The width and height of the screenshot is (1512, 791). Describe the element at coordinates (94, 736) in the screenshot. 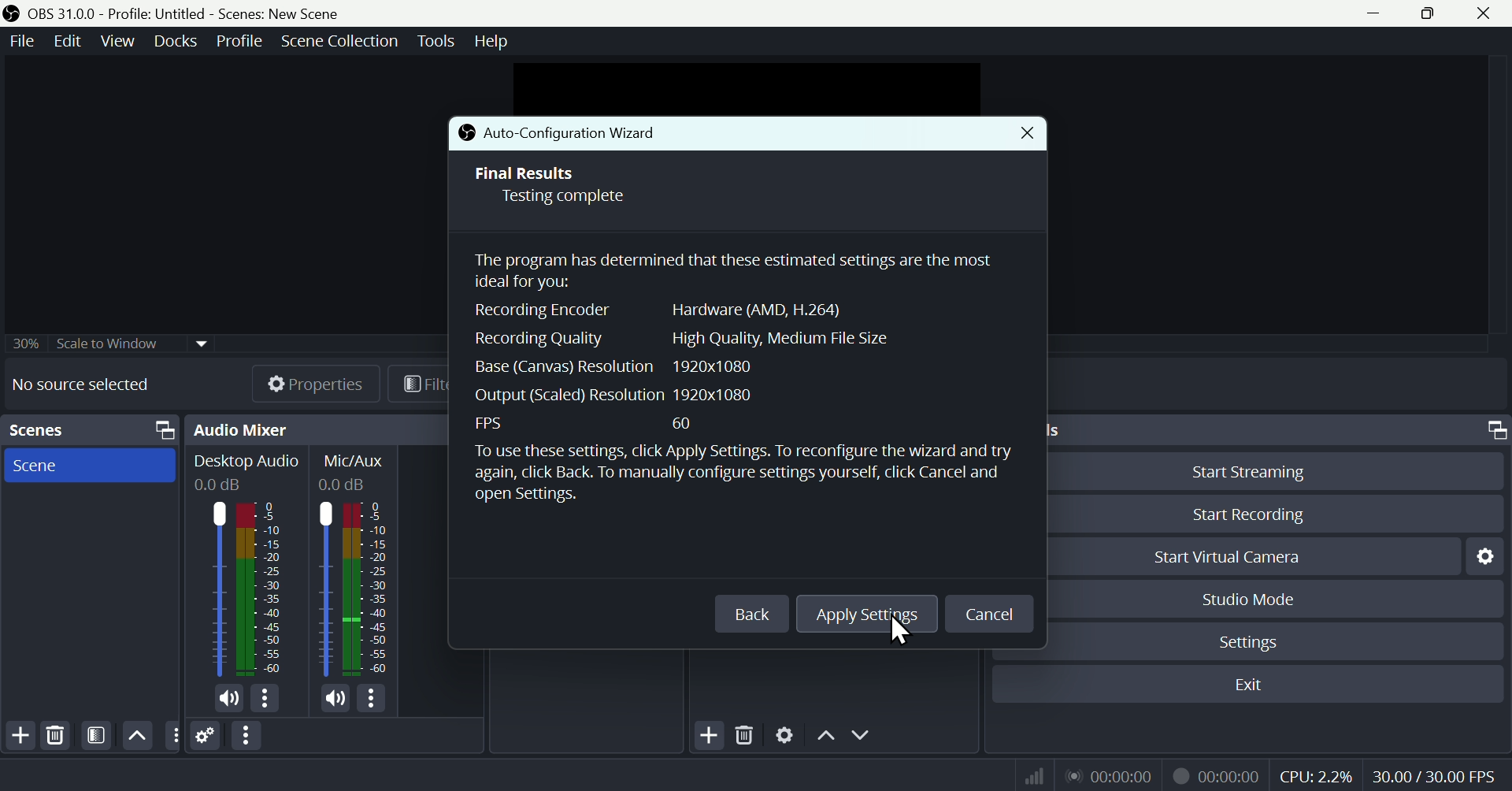

I see `Filters` at that location.